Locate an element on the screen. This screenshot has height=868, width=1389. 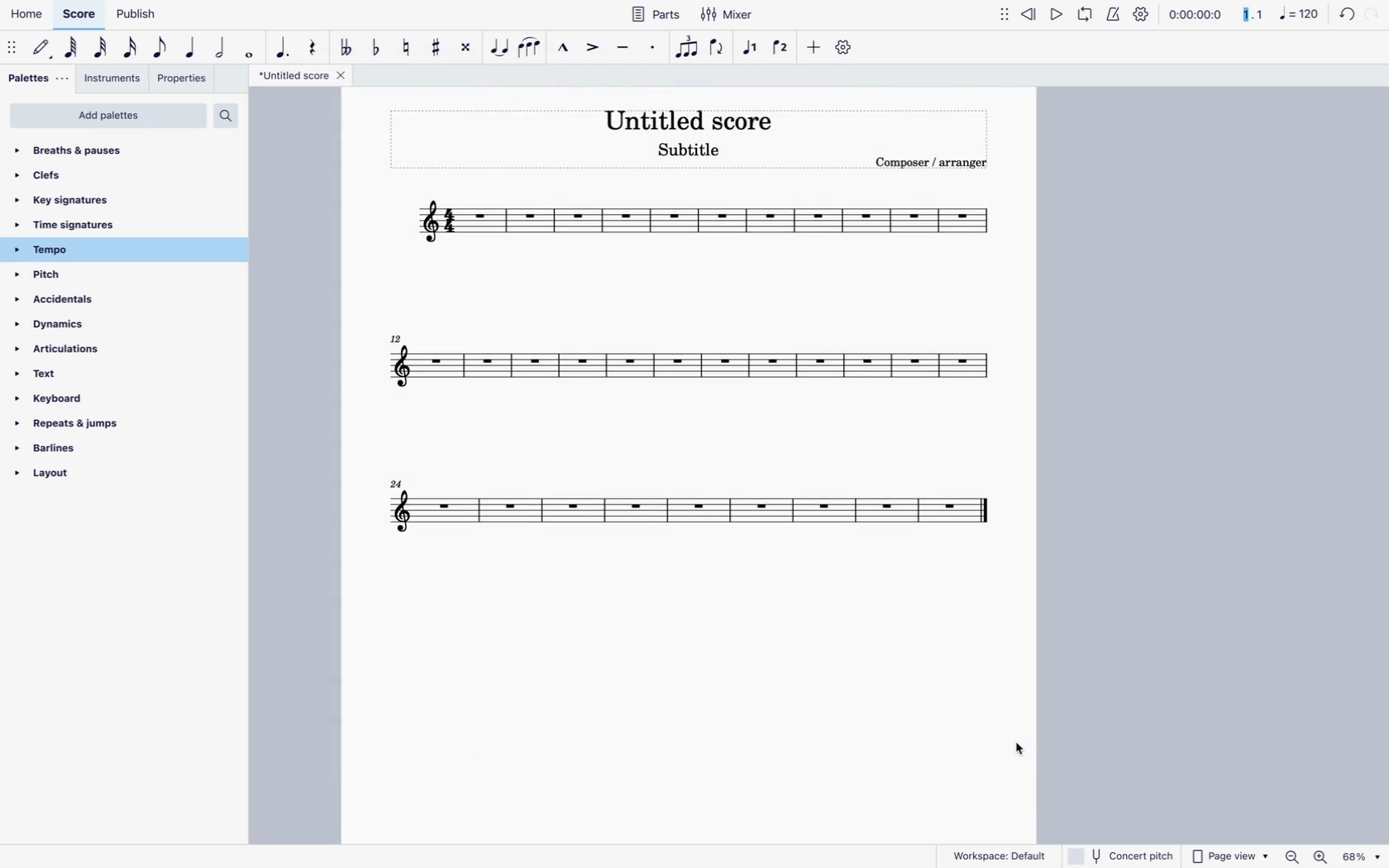
search is located at coordinates (225, 115).